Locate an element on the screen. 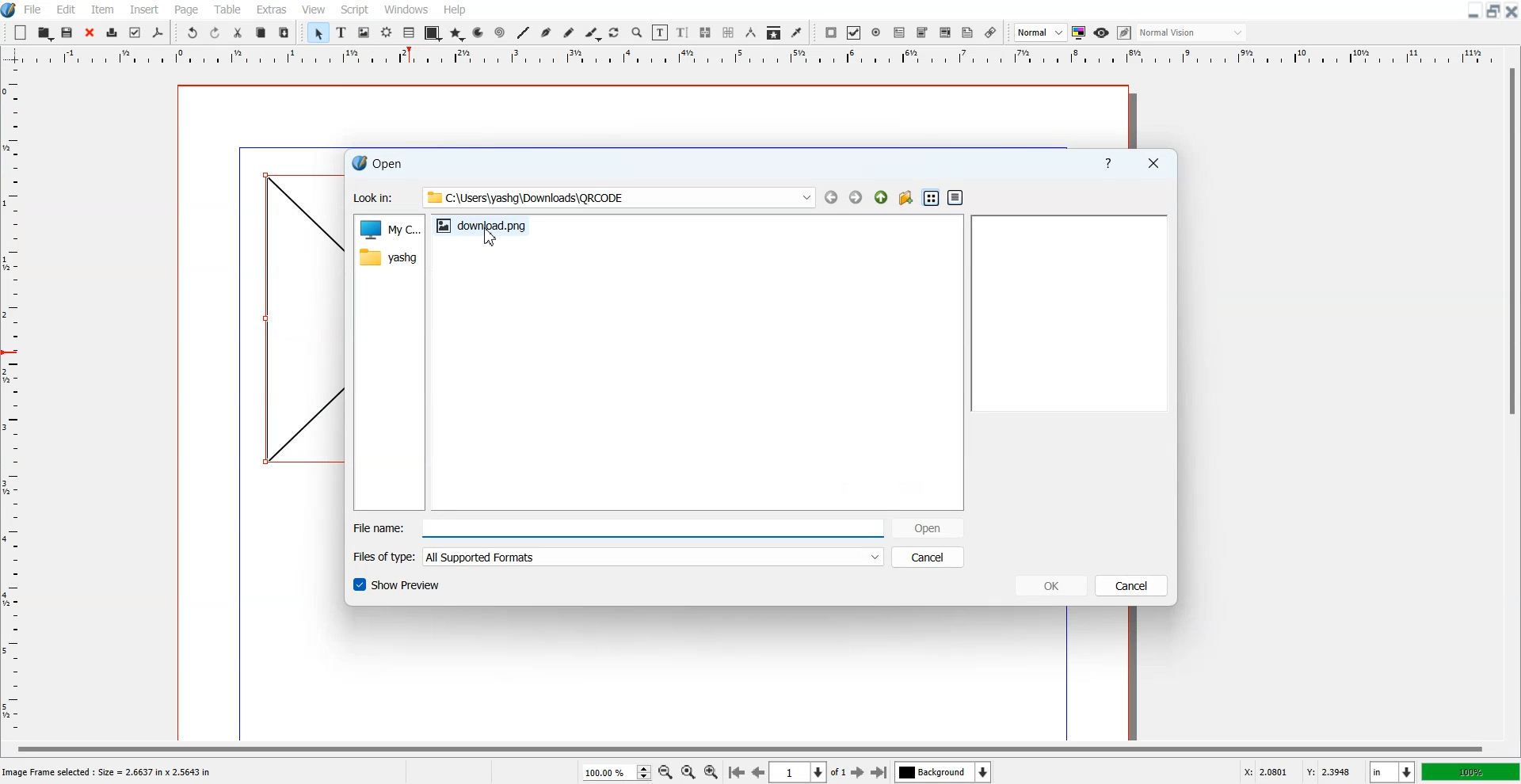 The width and height of the screenshot is (1521, 784). Link Annotation is located at coordinates (991, 32).